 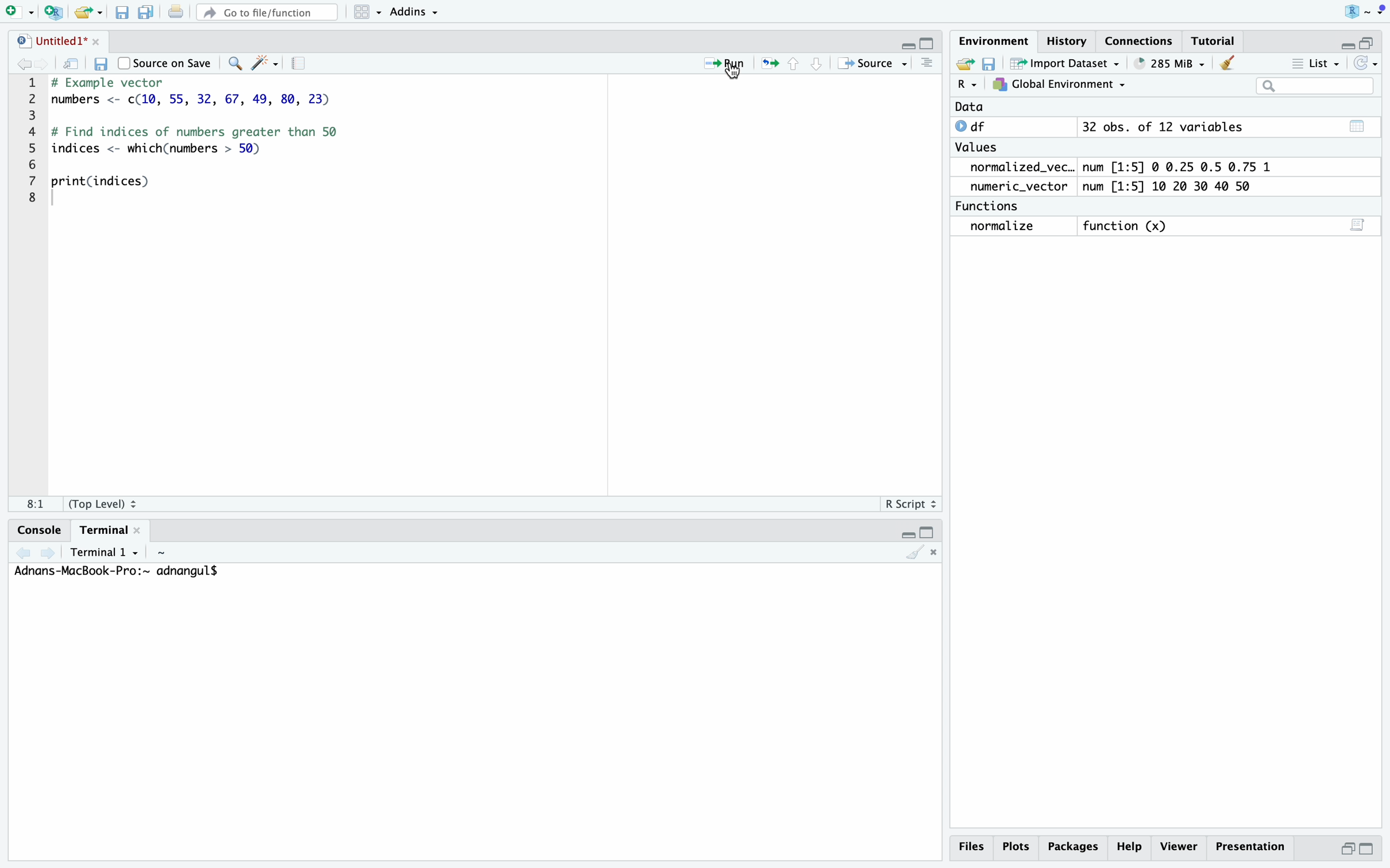 What do you see at coordinates (1013, 227) in the screenshot?
I see `normalize` at bounding box center [1013, 227].